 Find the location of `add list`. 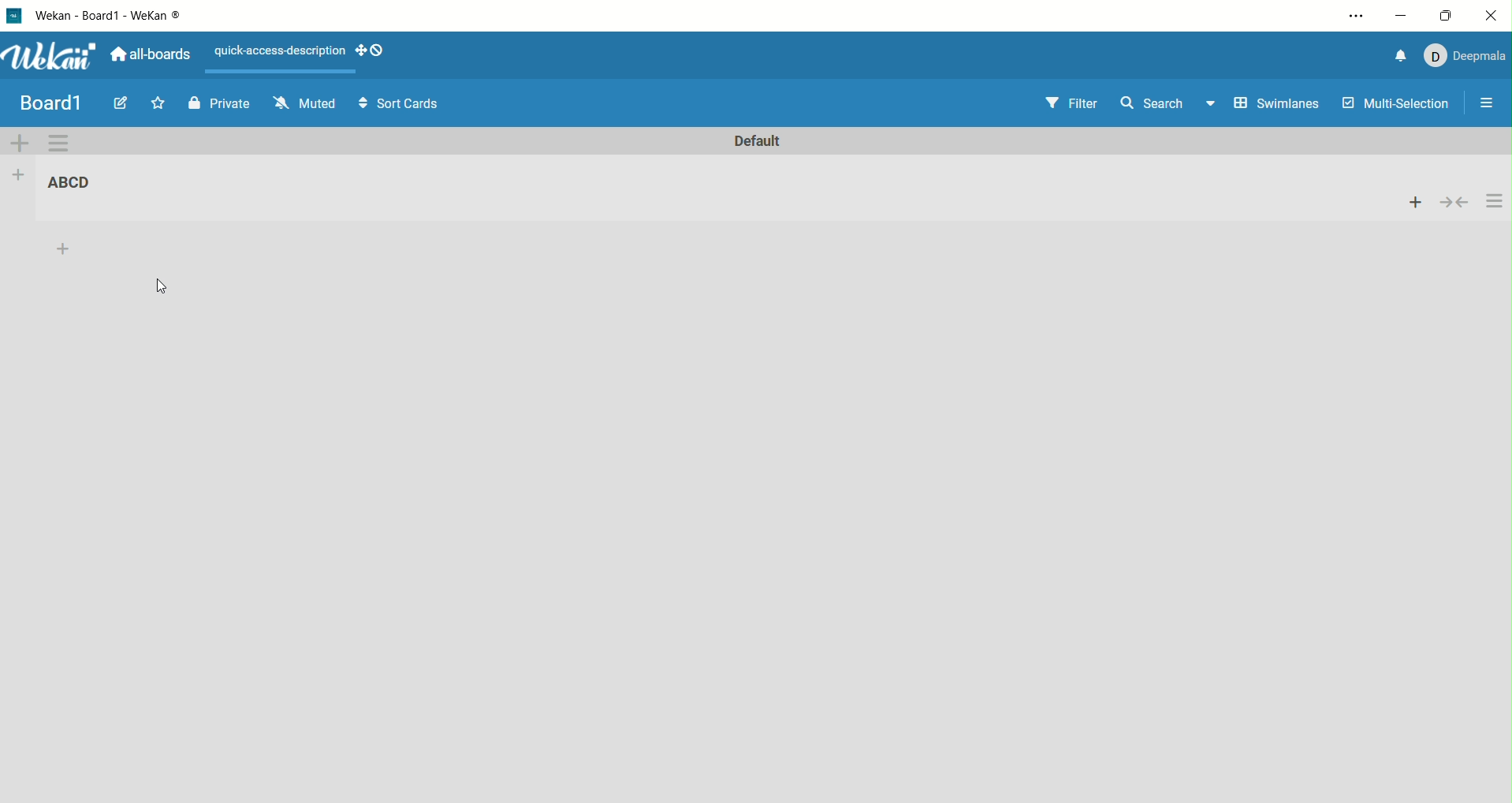

add list is located at coordinates (69, 248).